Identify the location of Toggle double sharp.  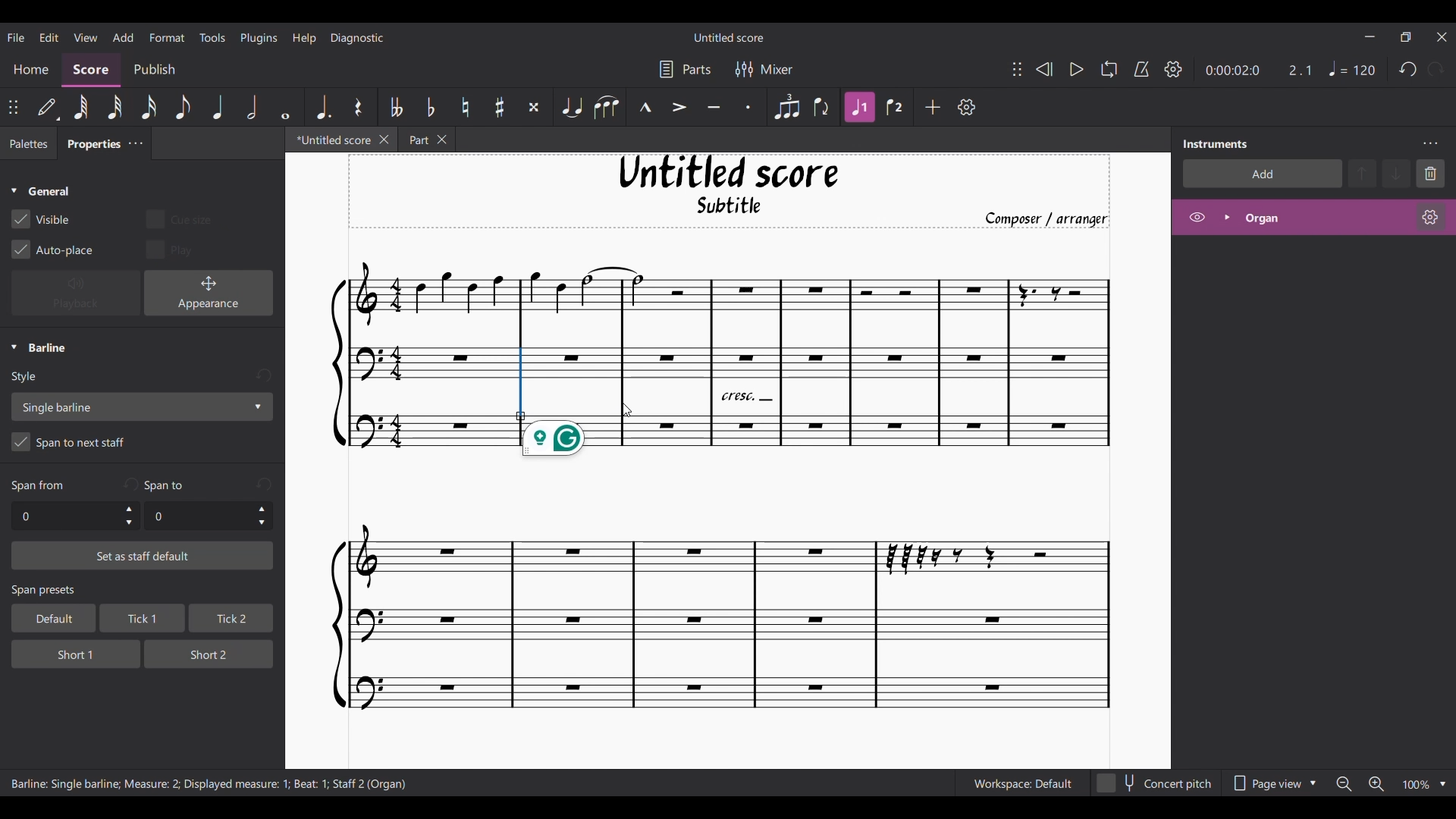
(534, 108).